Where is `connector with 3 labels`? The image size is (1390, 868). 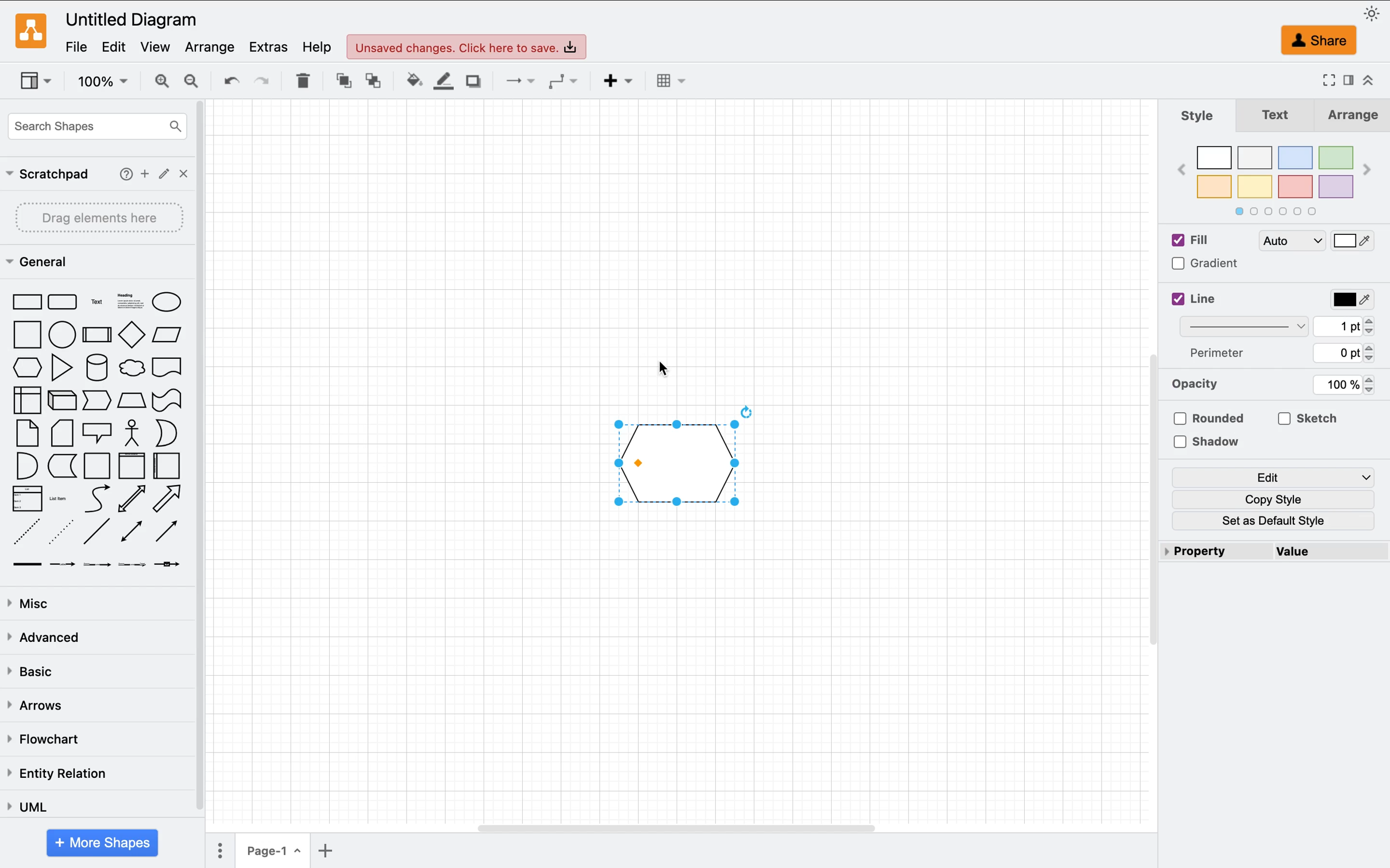 connector with 3 labels is located at coordinates (130, 567).